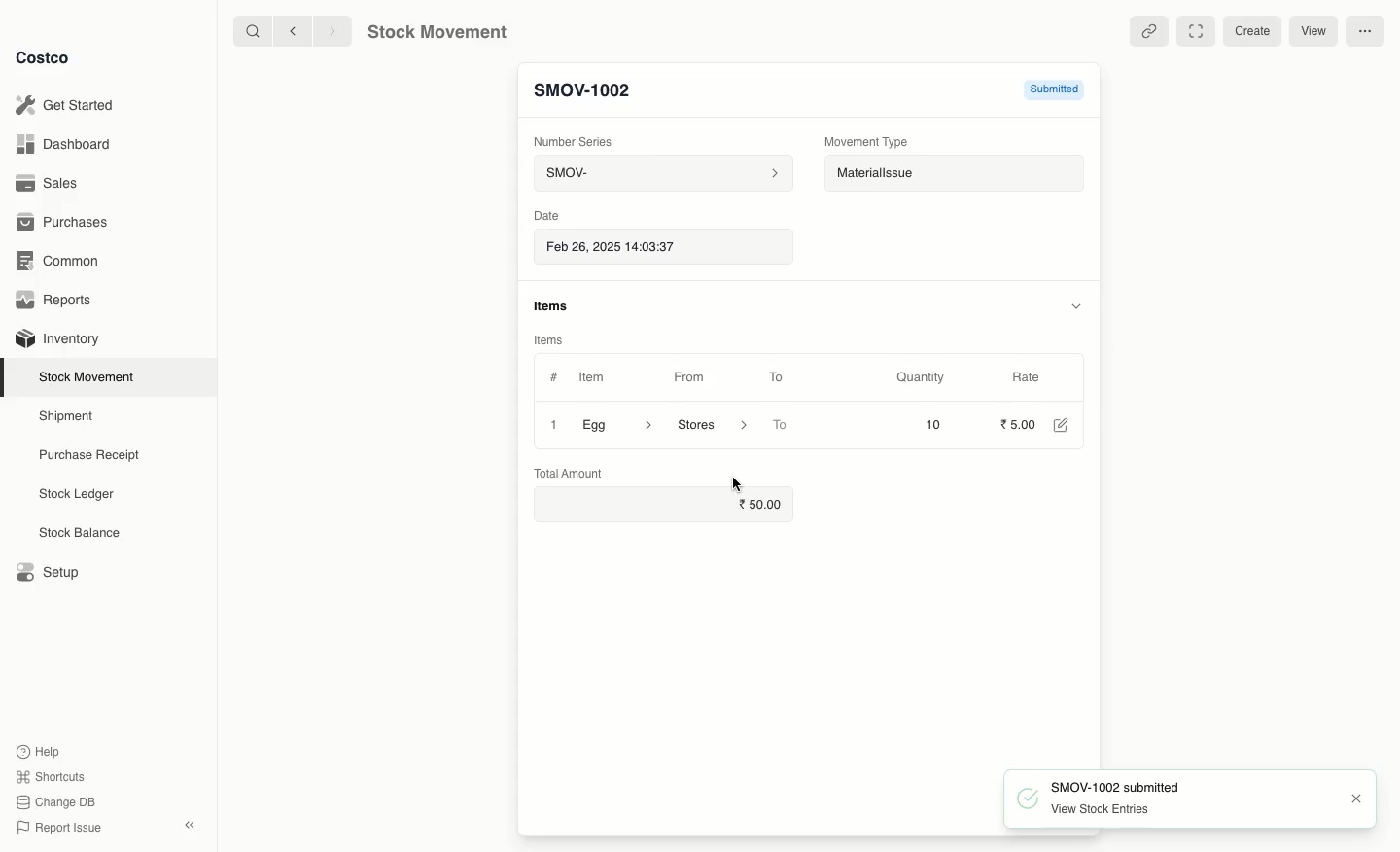 This screenshot has width=1400, height=852. Describe the element at coordinates (82, 533) in the screenshot. I see `Stock Balance` at that location.